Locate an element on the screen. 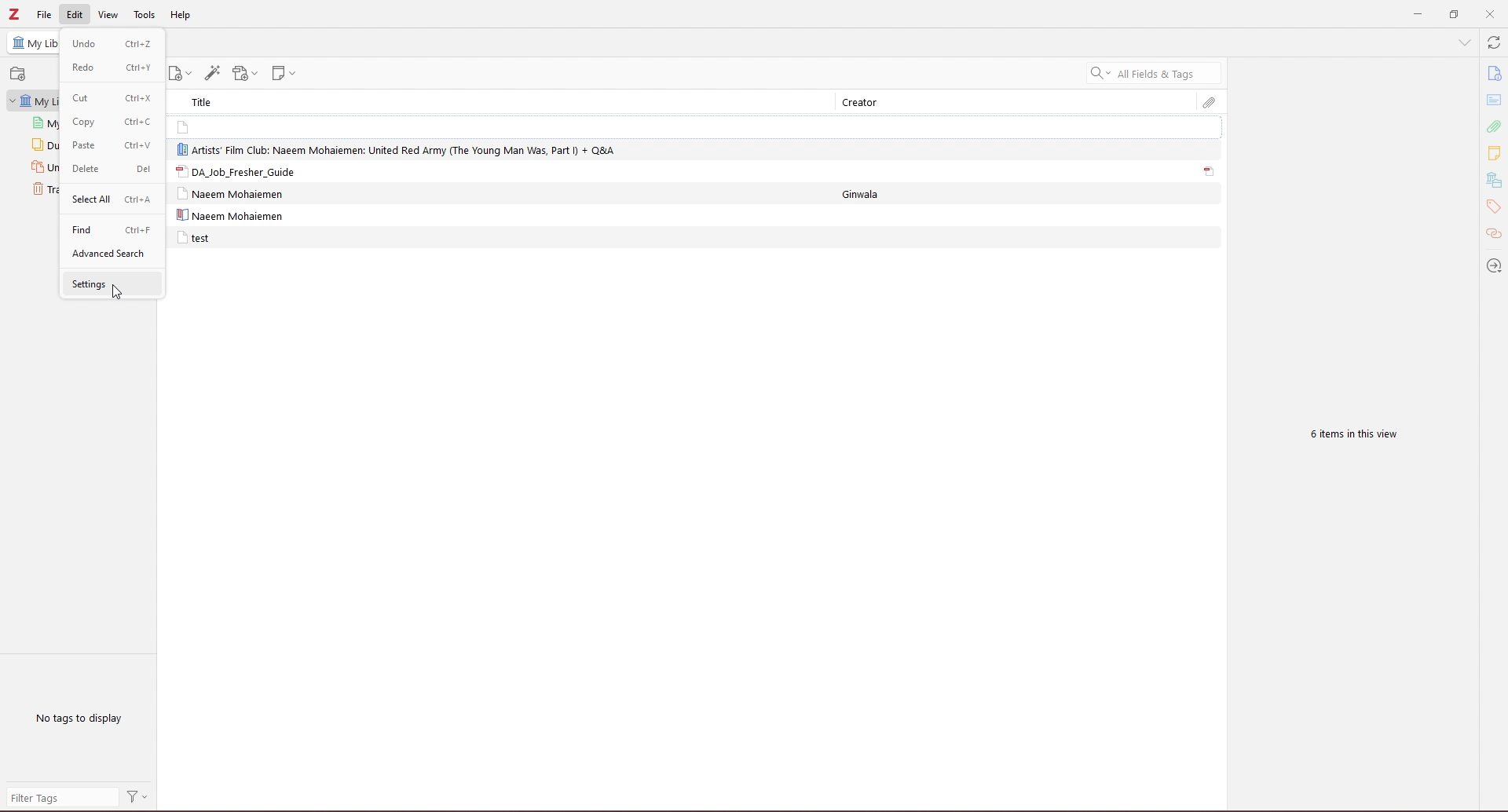 The image size is (1508, 812). info is located at coordinates (1493, 74).